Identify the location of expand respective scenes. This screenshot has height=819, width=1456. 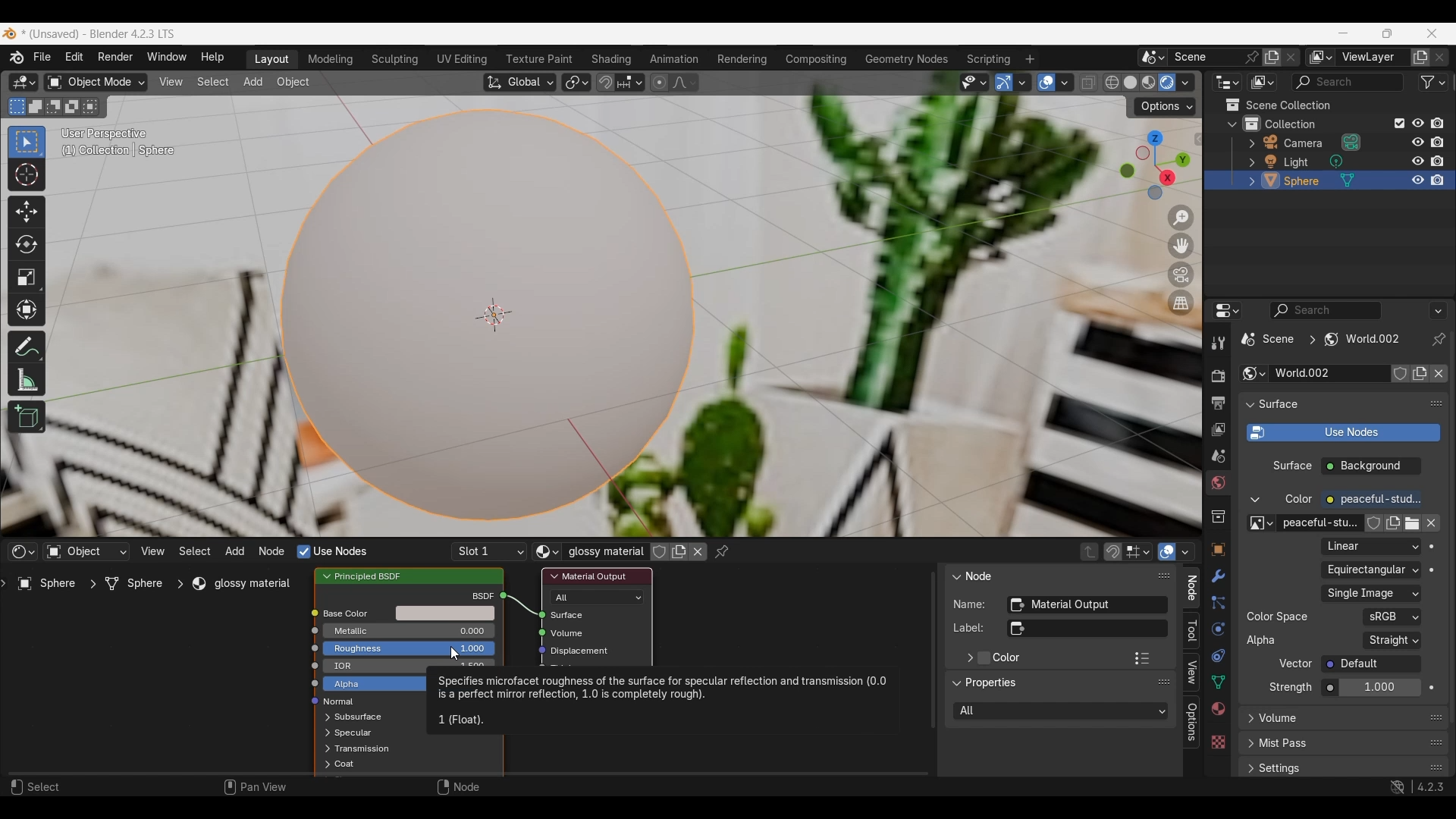
(1247, 180).